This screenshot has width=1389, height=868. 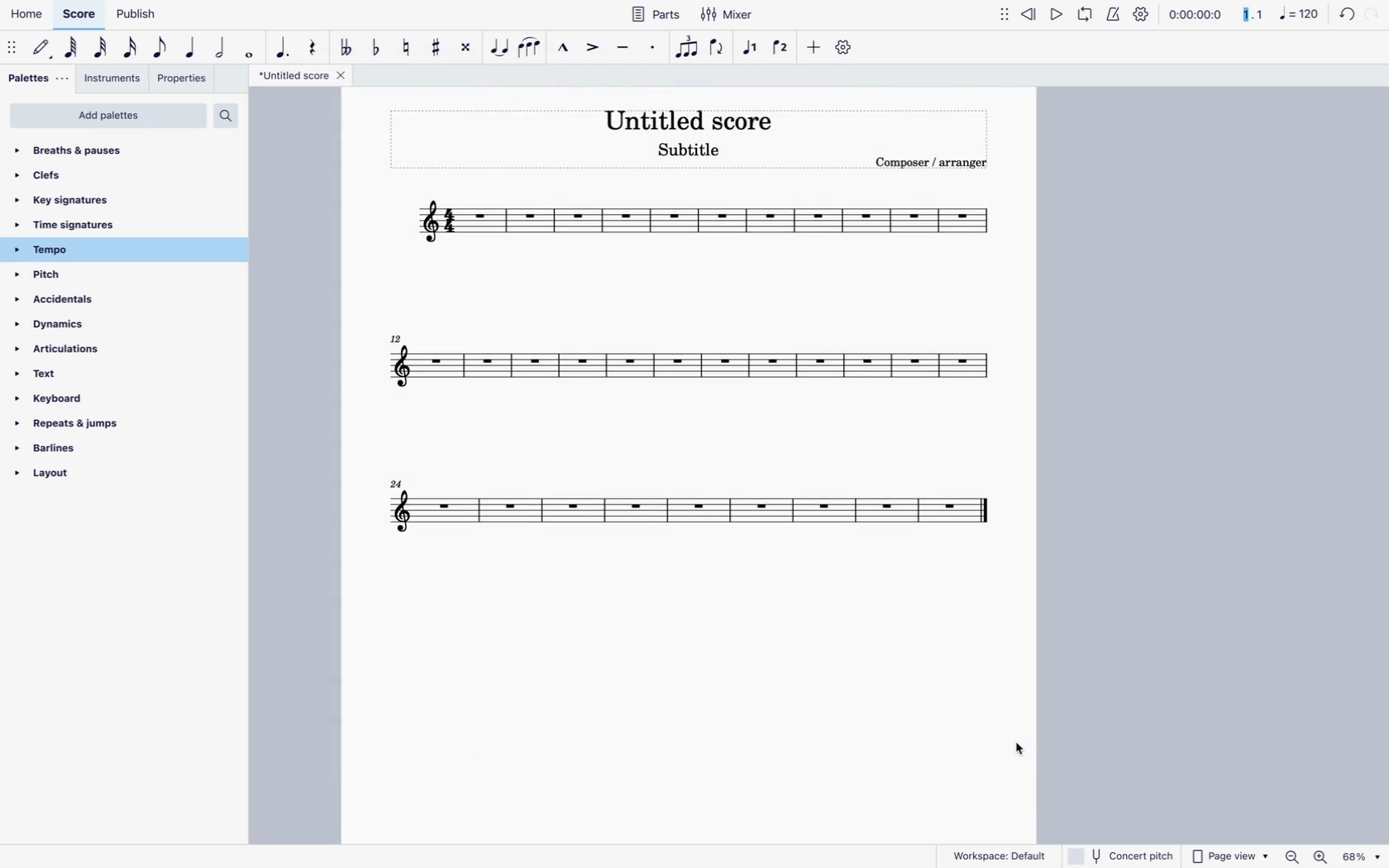 What do you see at coordinates (468, 50) in the screenshot?
I see `toggle double sharp` at bounding box center [468, 50].